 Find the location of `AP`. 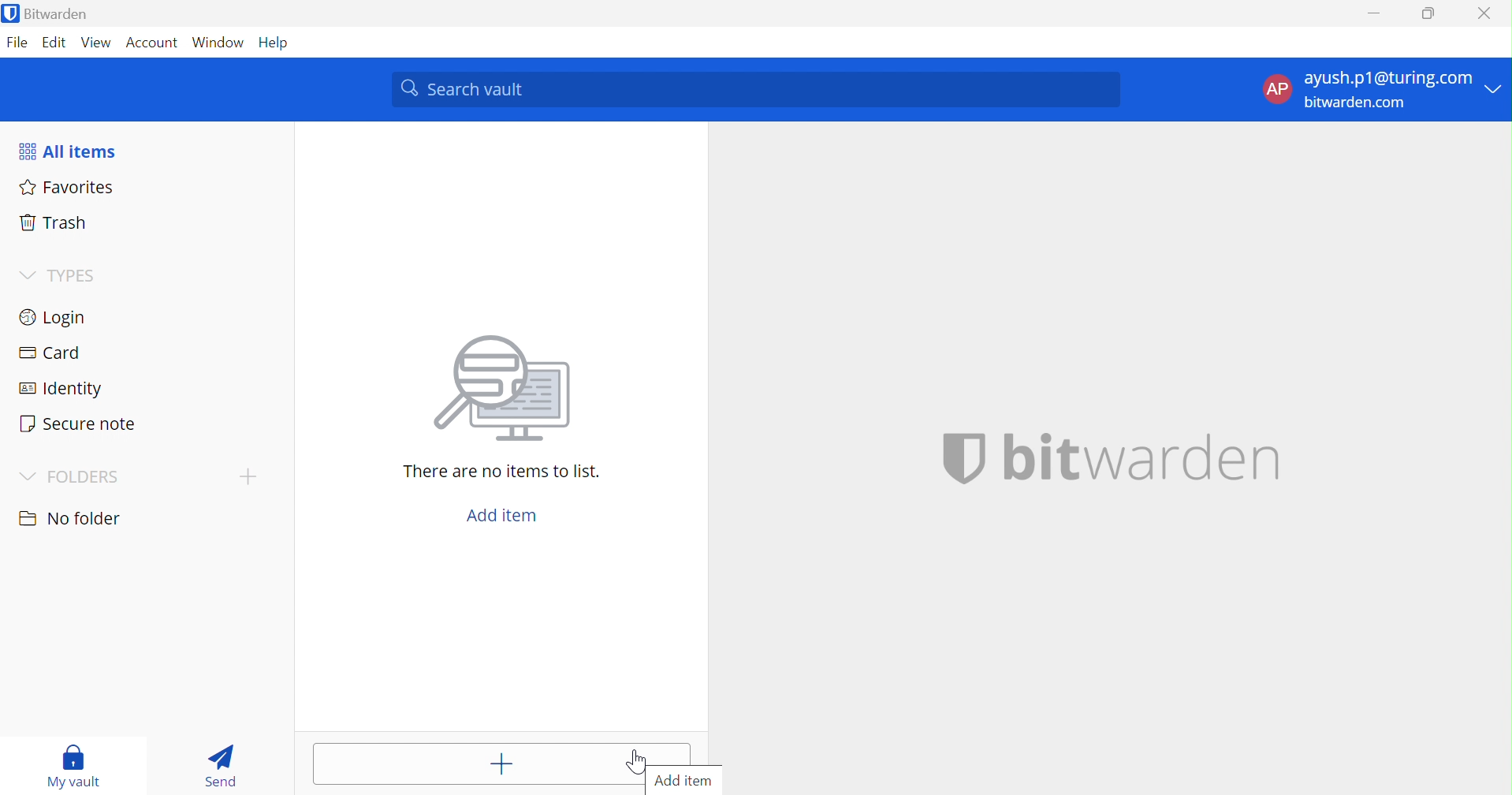

AP is located at coordinates (1276, 88).